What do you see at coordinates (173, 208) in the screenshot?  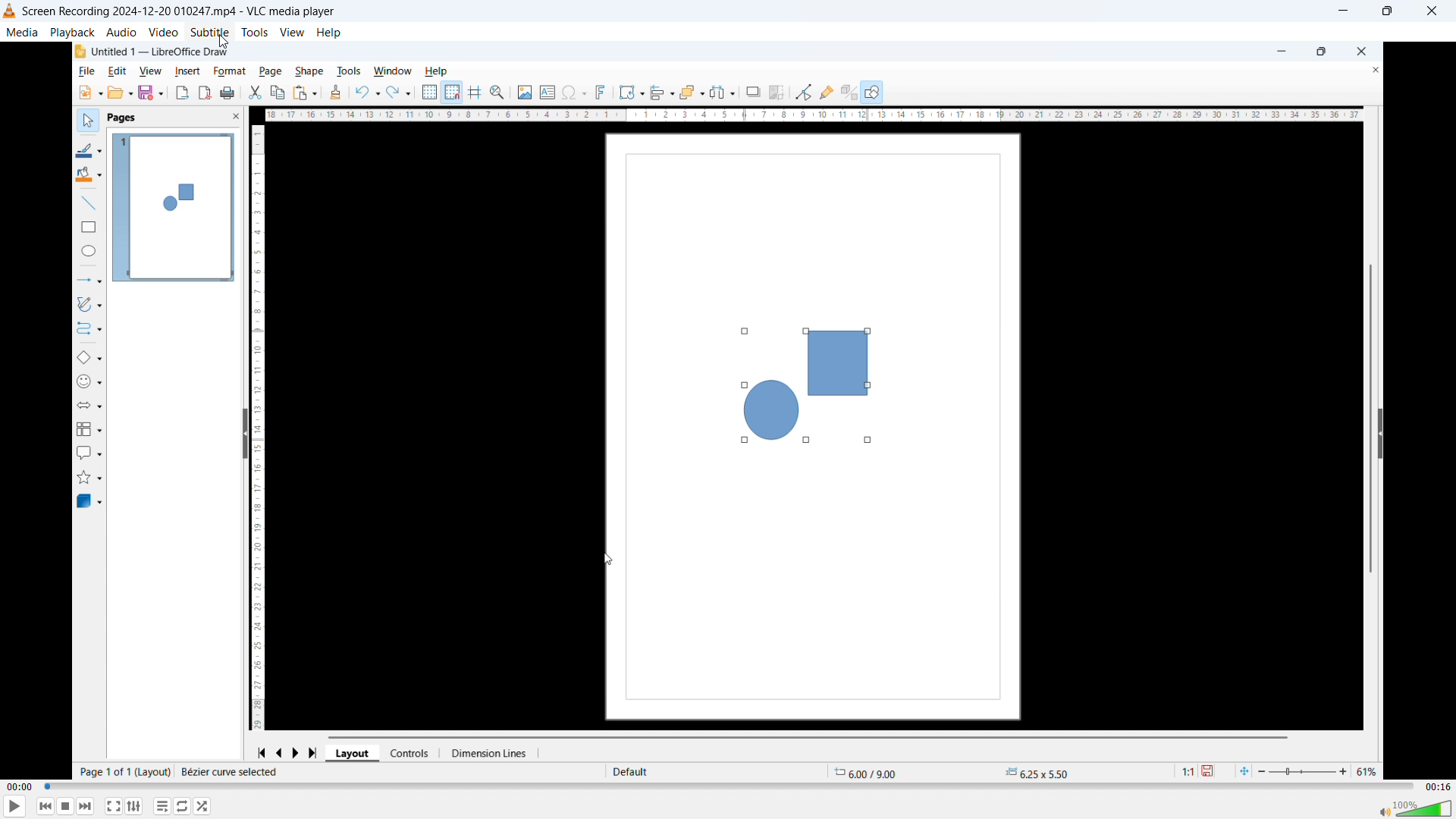 I see `page preview` at bounding box center [173, 208].